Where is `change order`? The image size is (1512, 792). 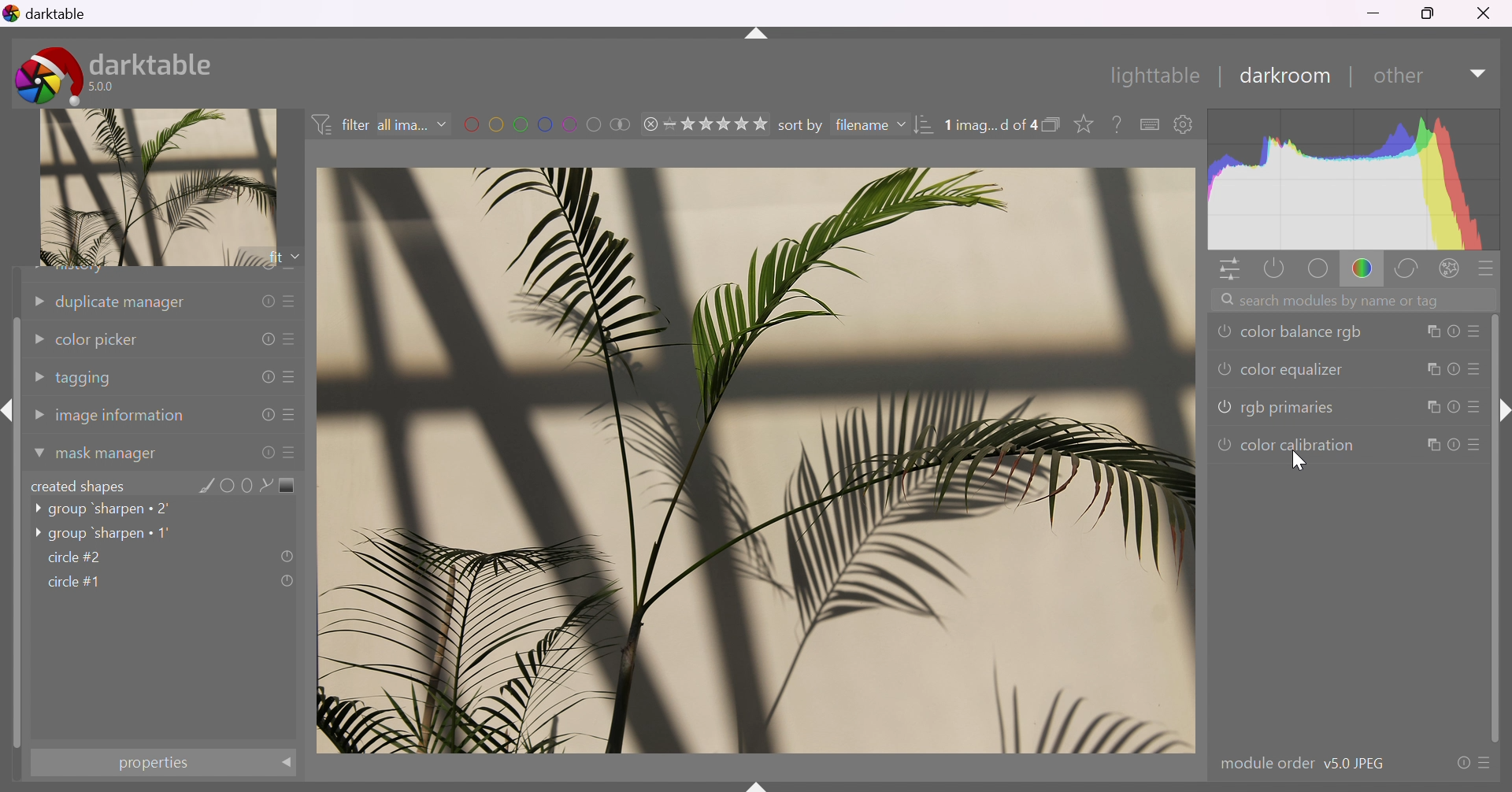 change order is located at coordinates (927, 125).